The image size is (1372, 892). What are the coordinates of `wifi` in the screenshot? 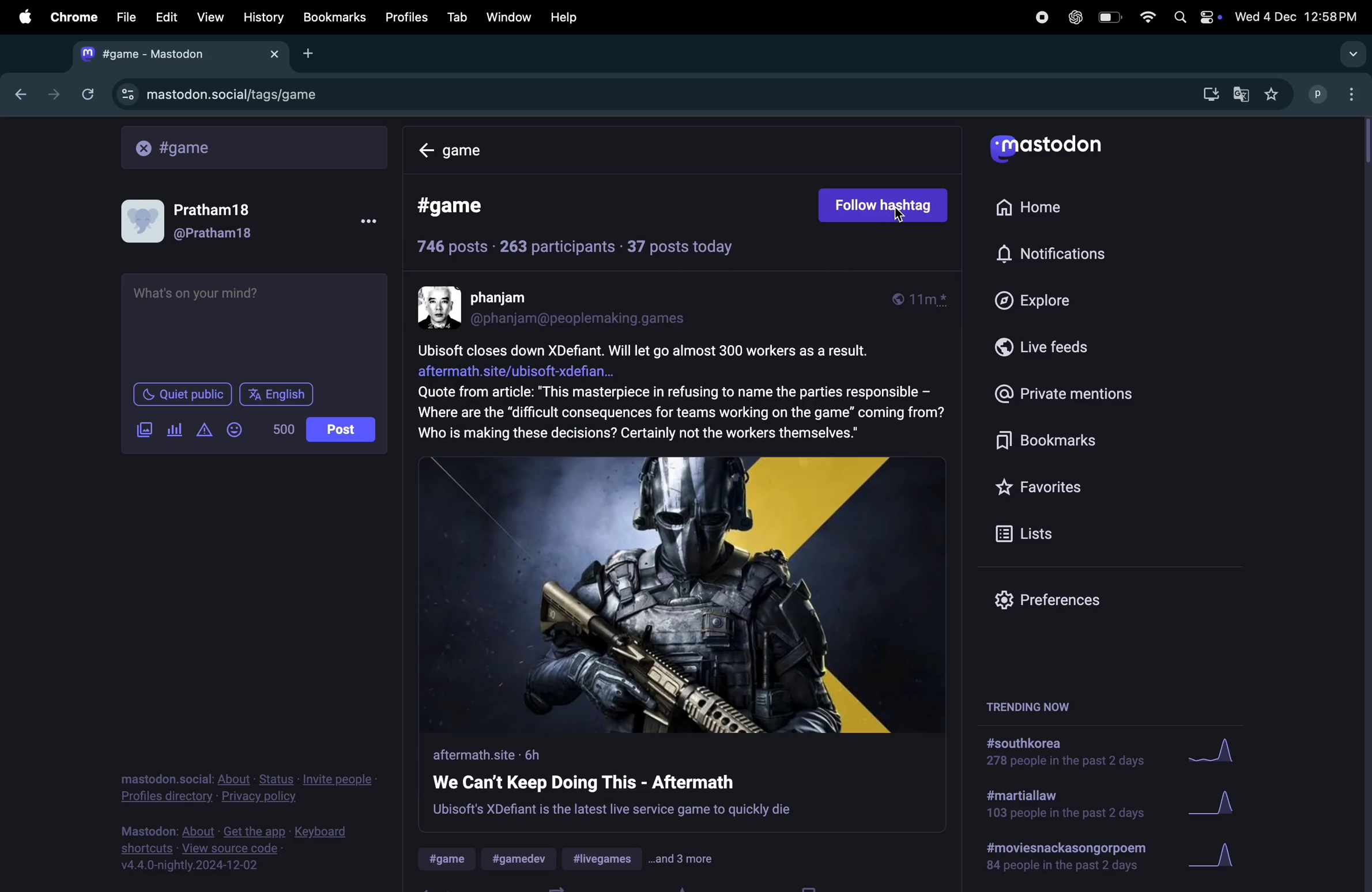 It's located at (1144, 16).